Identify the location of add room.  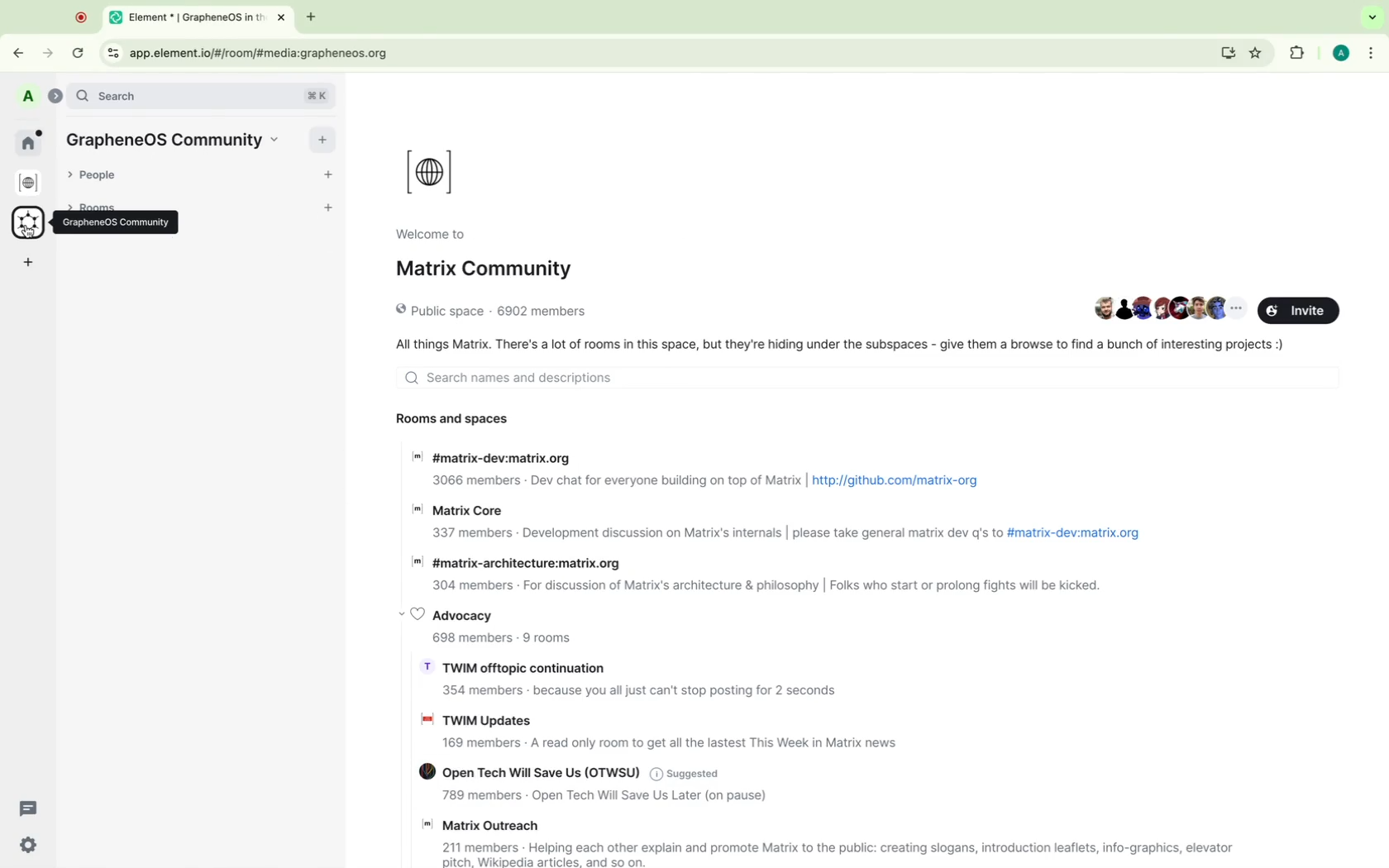
(331, 209).